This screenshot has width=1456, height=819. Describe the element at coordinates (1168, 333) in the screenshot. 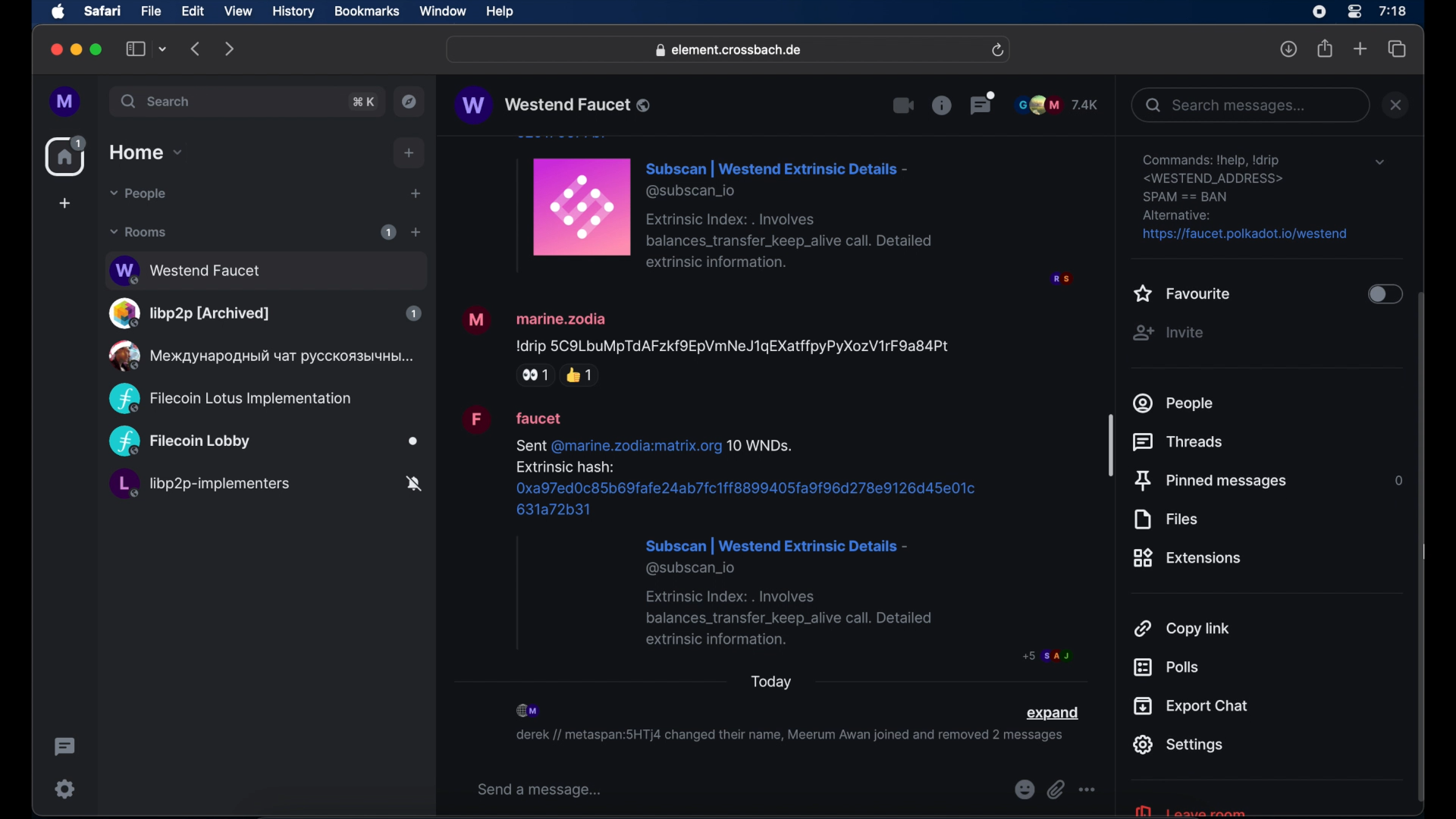

I see `invite` at that location.